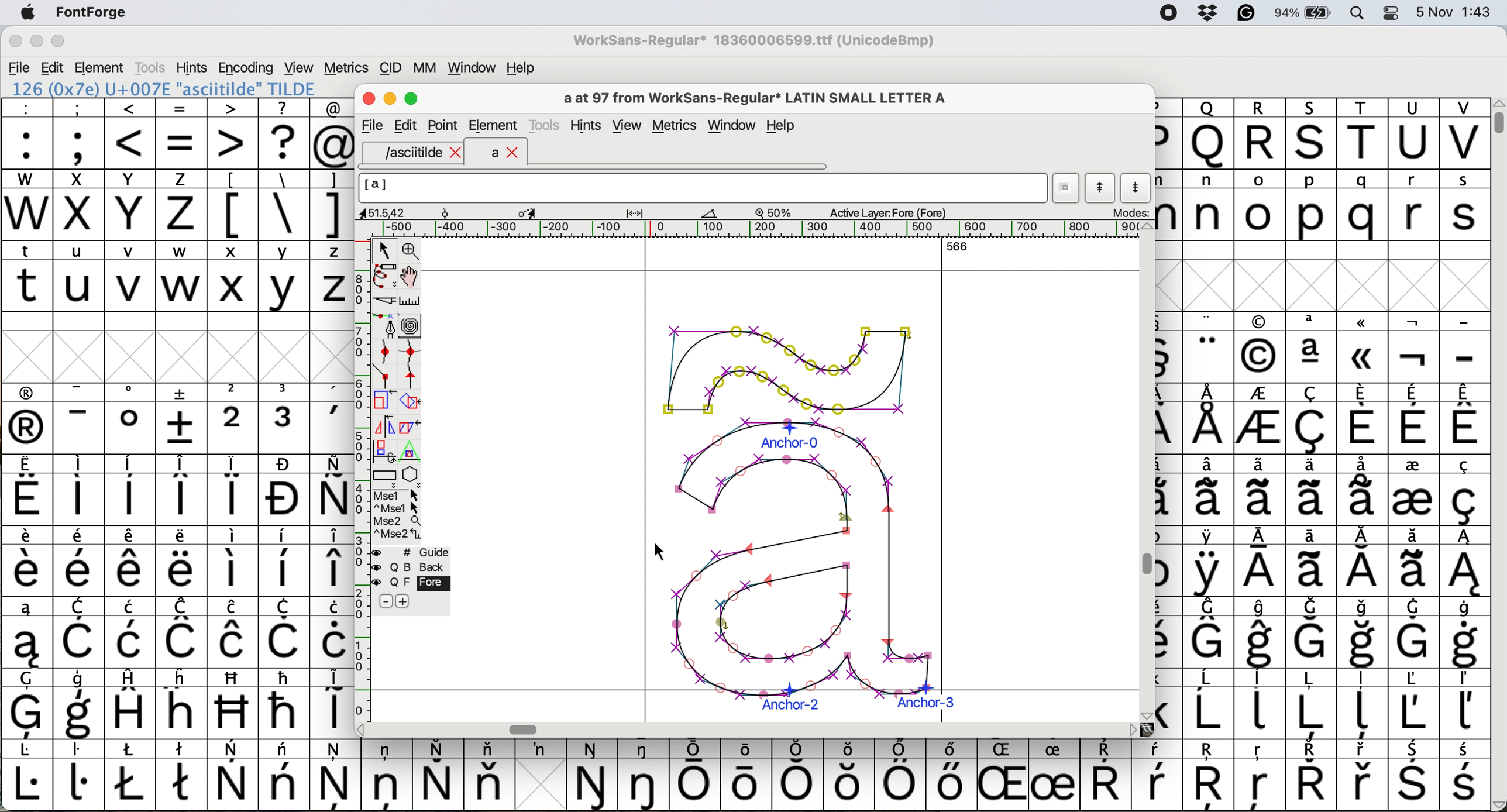 This screenshot has height=812, width=1507. What do you see at coordinates (1463, 704) in the screenshot?
I see `symbol` at bounding box center [1463, 704].